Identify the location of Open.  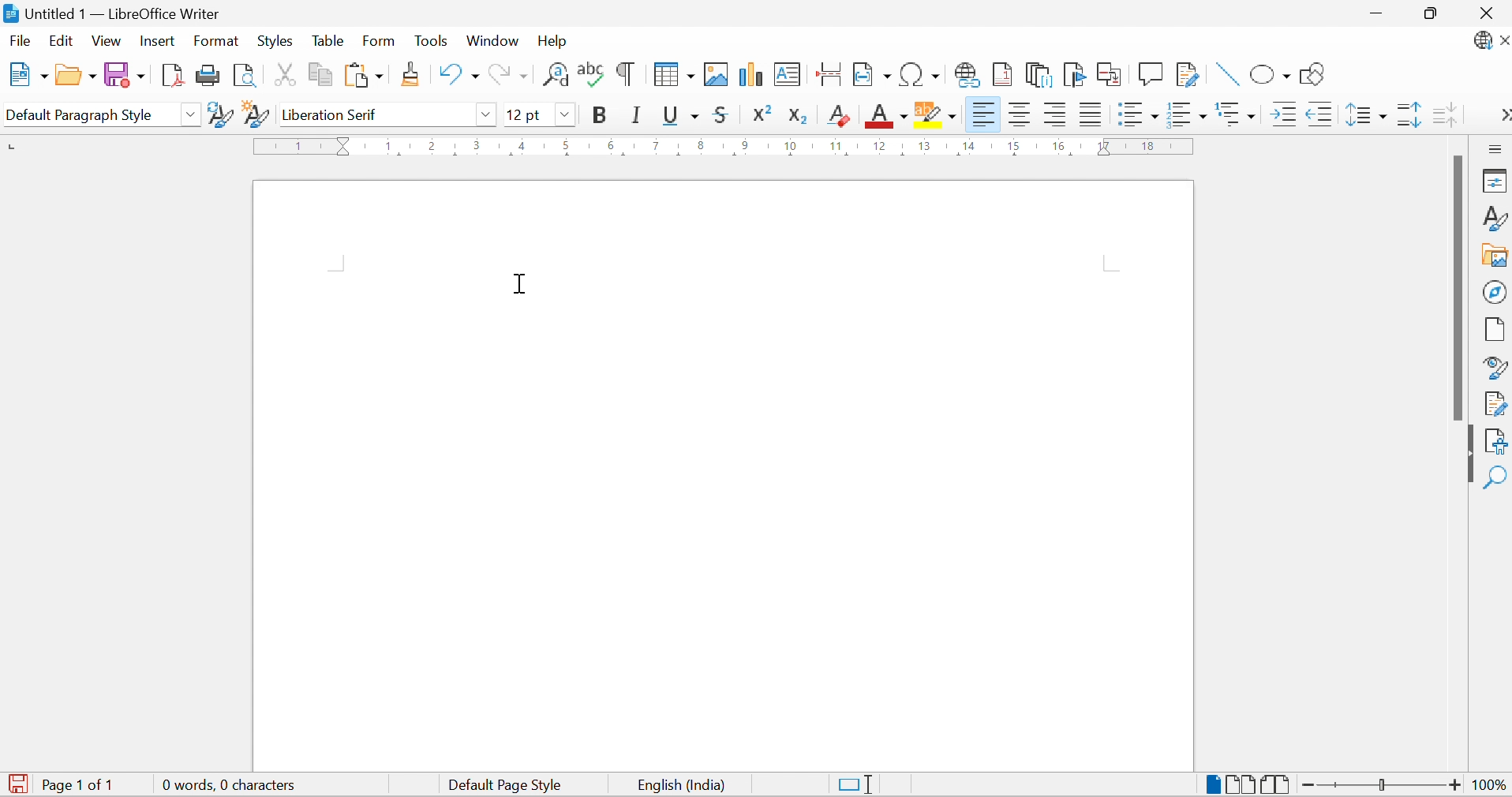
(74, 74).